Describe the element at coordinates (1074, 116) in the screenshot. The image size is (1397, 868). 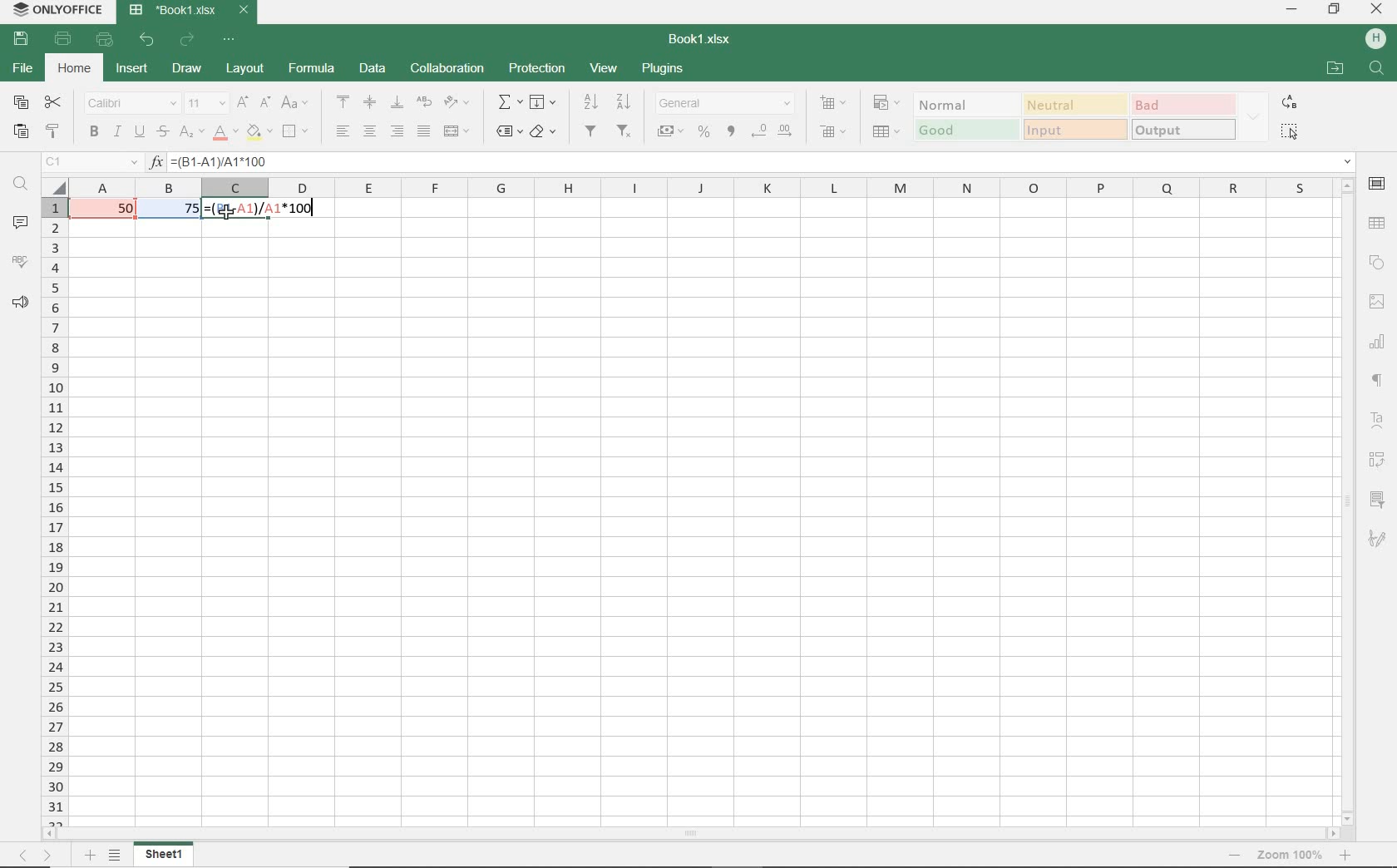
I see `Data & Model` at that location.